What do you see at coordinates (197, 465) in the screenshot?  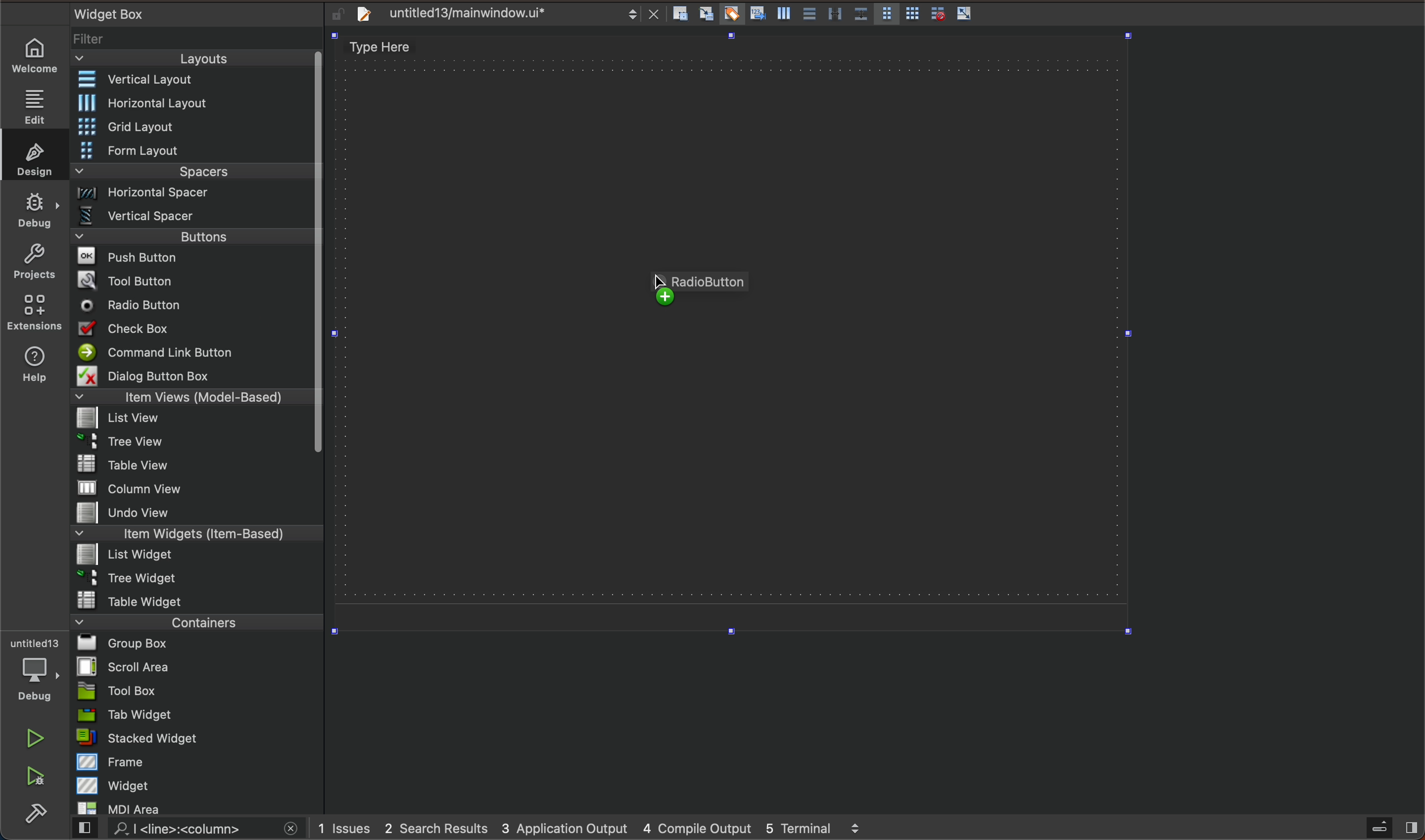 I see `table view` at bounding box center [197, 465].